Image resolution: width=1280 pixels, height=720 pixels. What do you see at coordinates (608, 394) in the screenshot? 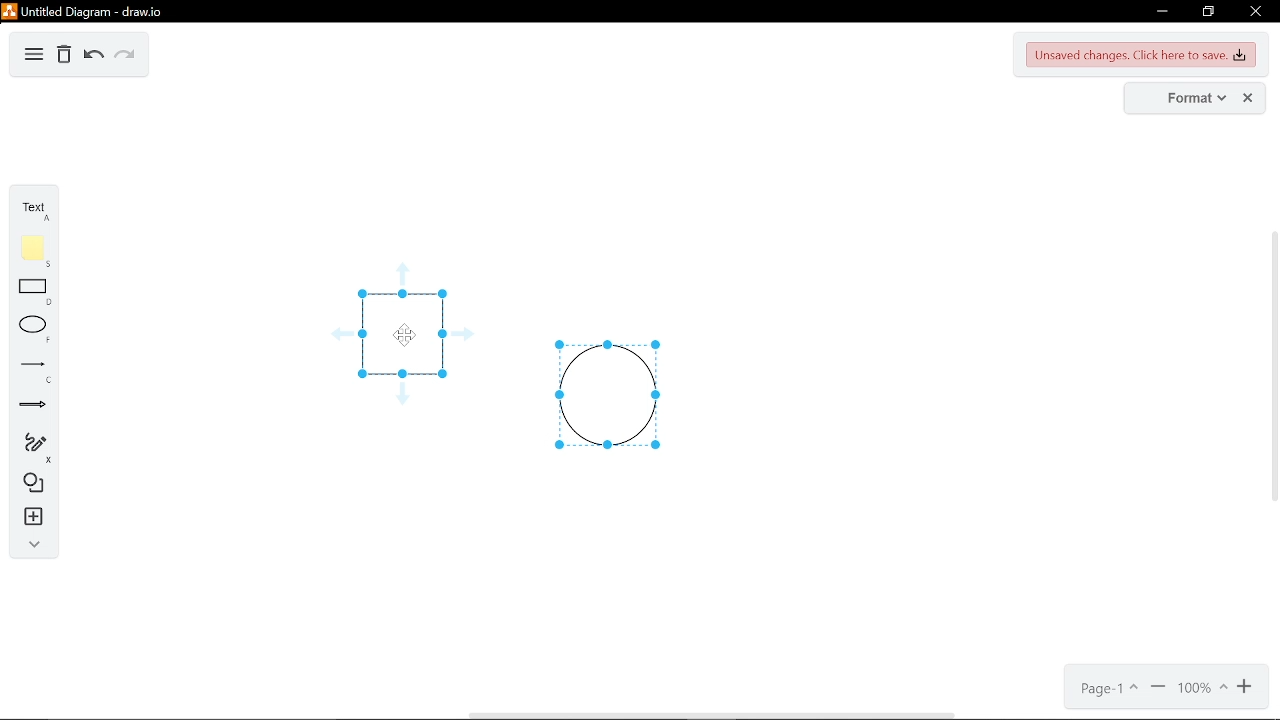
I see `circle selected` at bounding box center [608, 394].